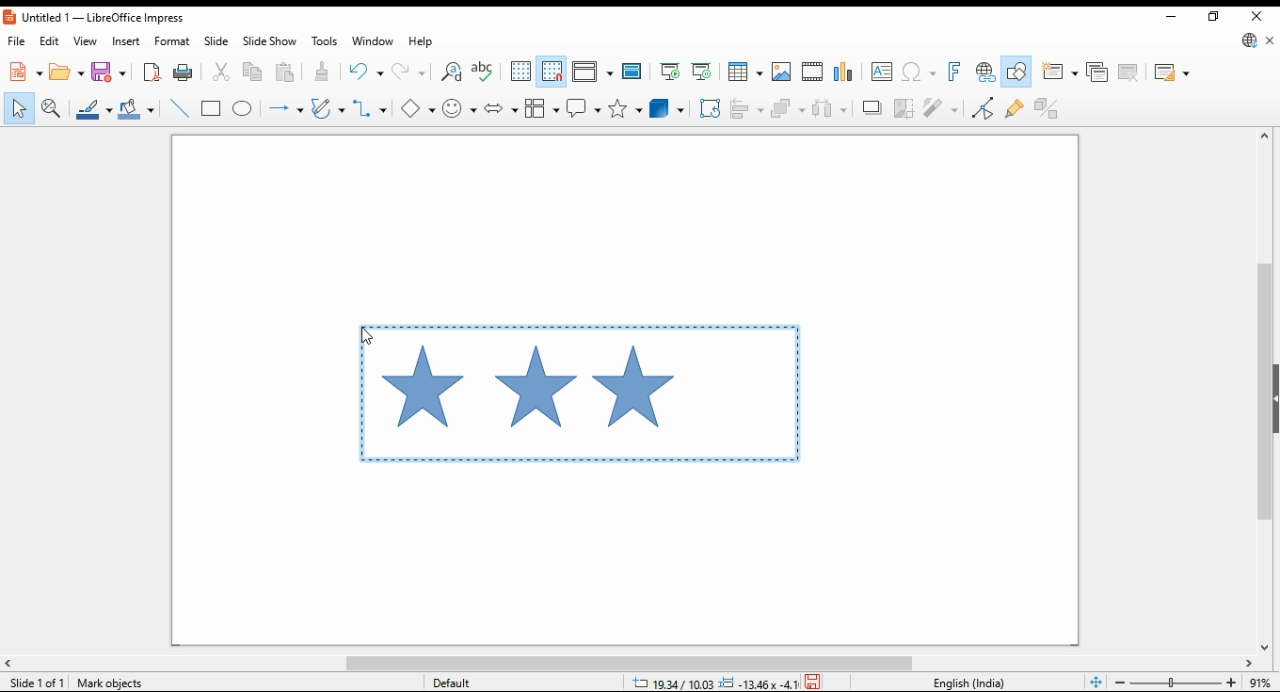 The width and height of the screenshot is (1280, 692). What do you see at coordinates (1130, 73) in the screenshot?
I see `delete slide` at bounding box center [1130, 73].